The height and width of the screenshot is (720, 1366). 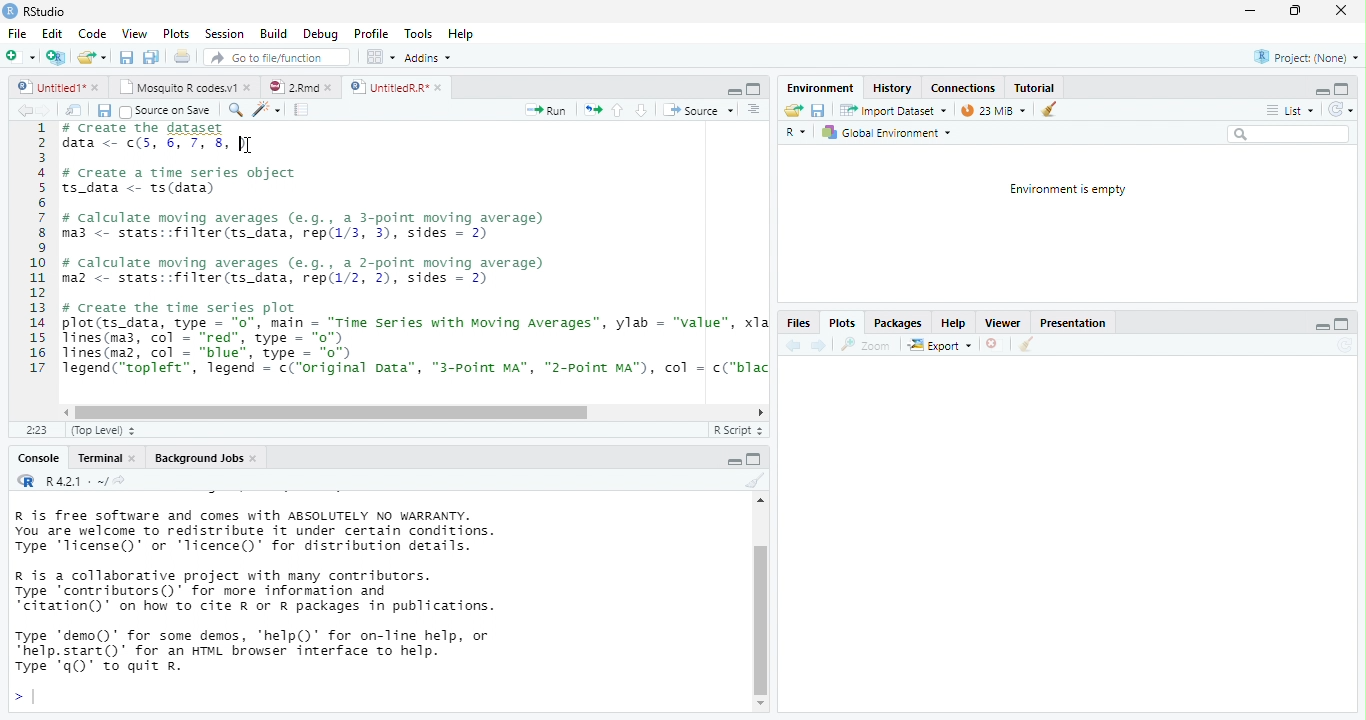 I want to click on New file, so click(x=19, y=57).